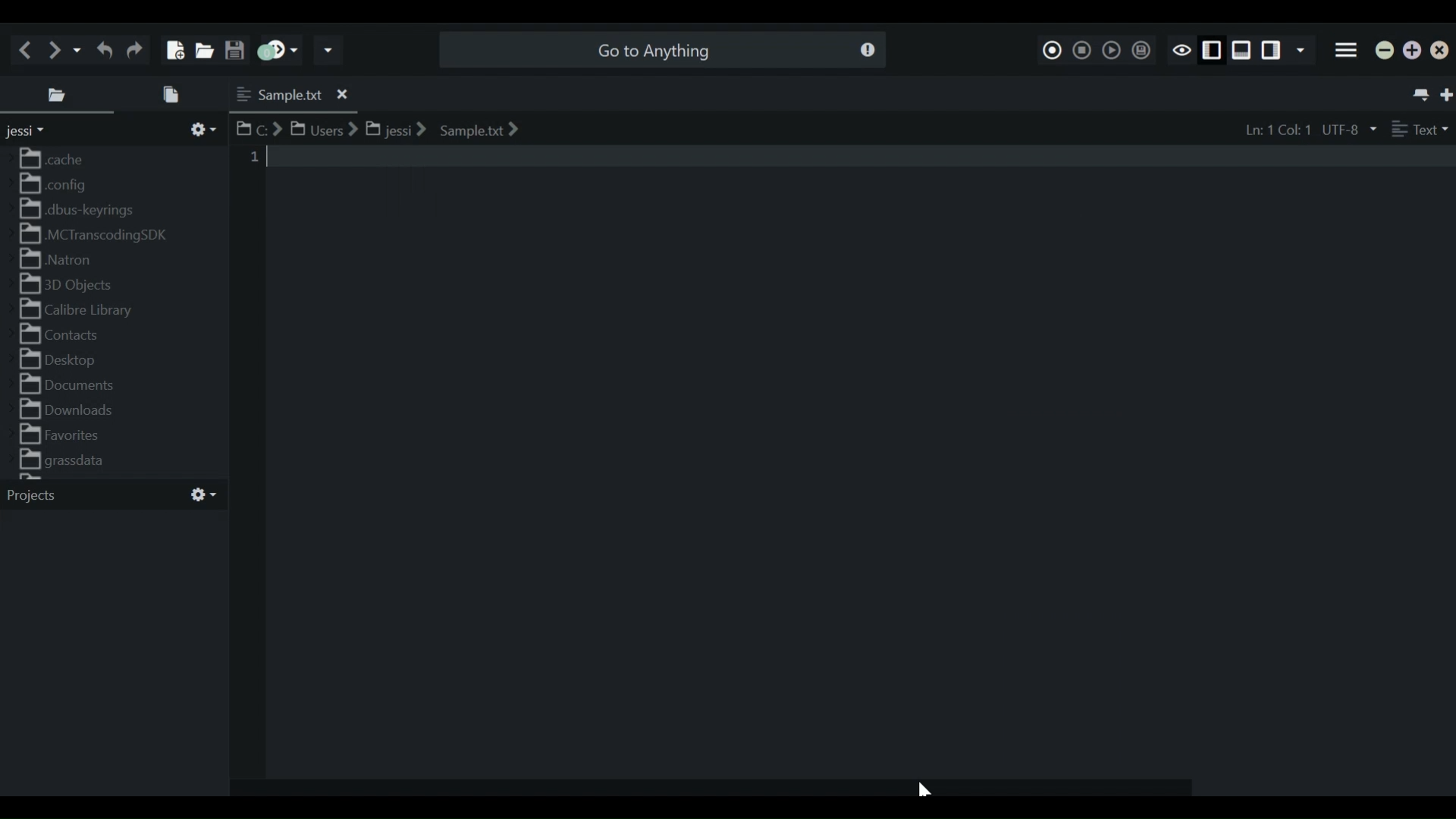 Image resolution: width=1456 pixels, height=819 pixels. Describe the element at coordinates (206, 49) in the screenshot. I see `Open file` at that location.